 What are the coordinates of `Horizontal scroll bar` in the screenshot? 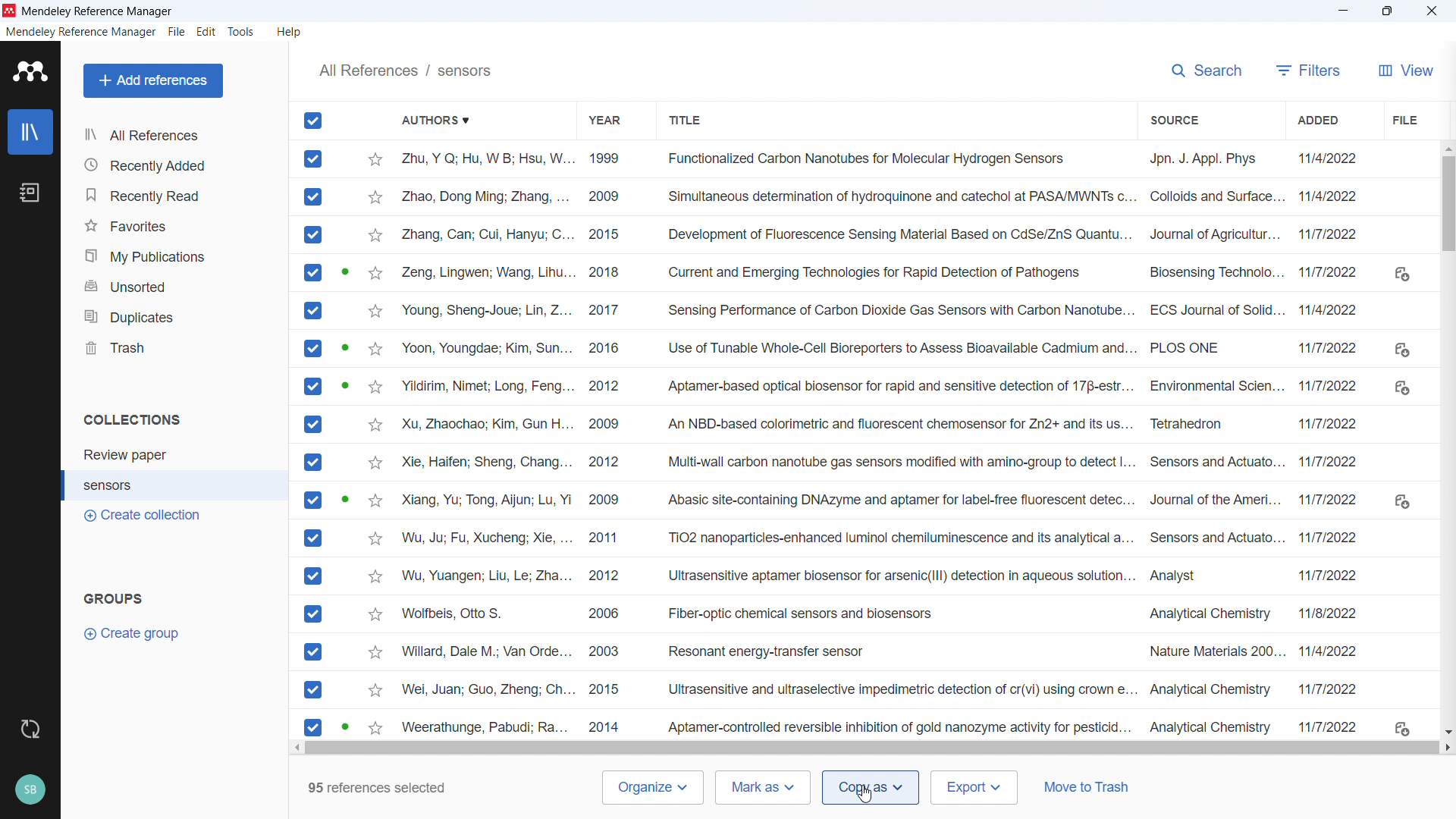 It's located at (869, 748).